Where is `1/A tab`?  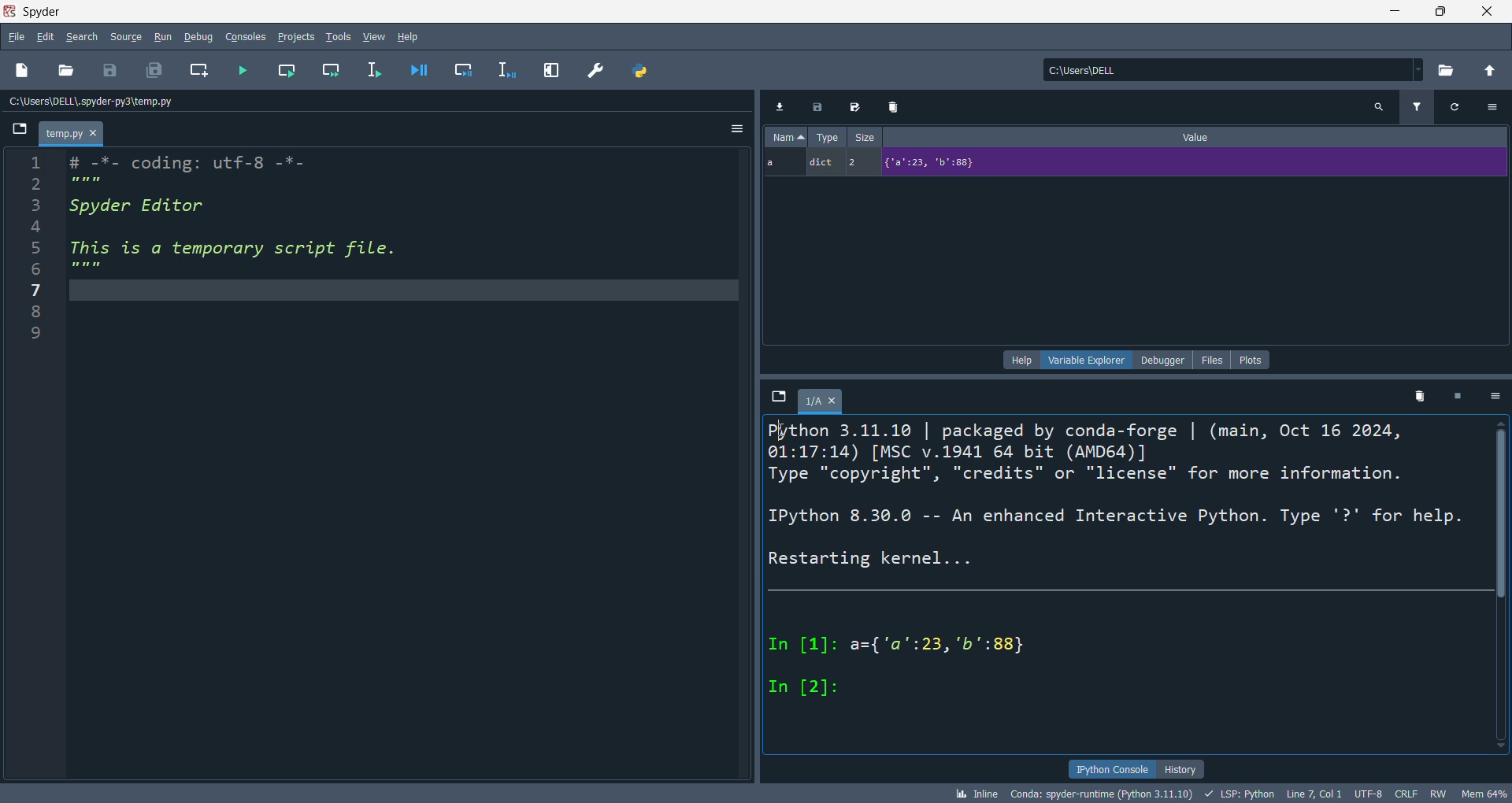 1/A tab is located at coordinates (825, 404).